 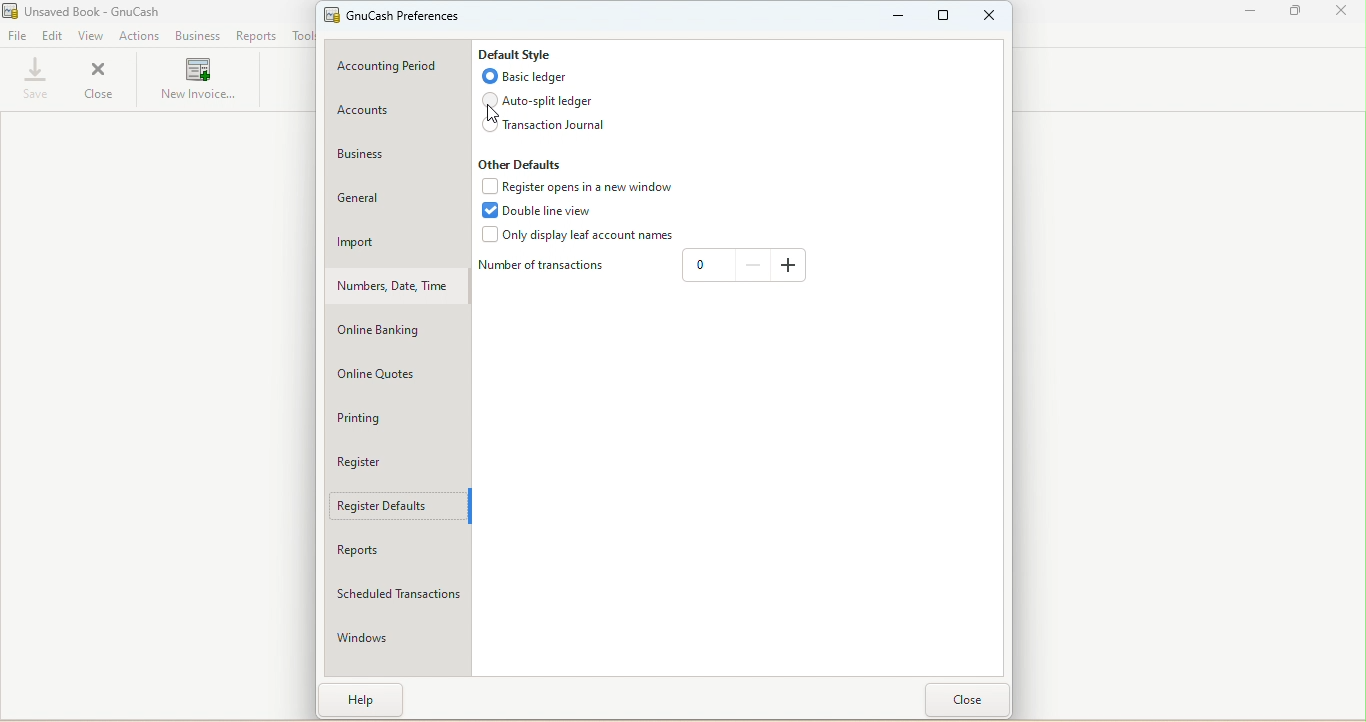 What do you see at coordinates (89, 36) in the screenshot?
I see `View` at bounding box center [89, 36].